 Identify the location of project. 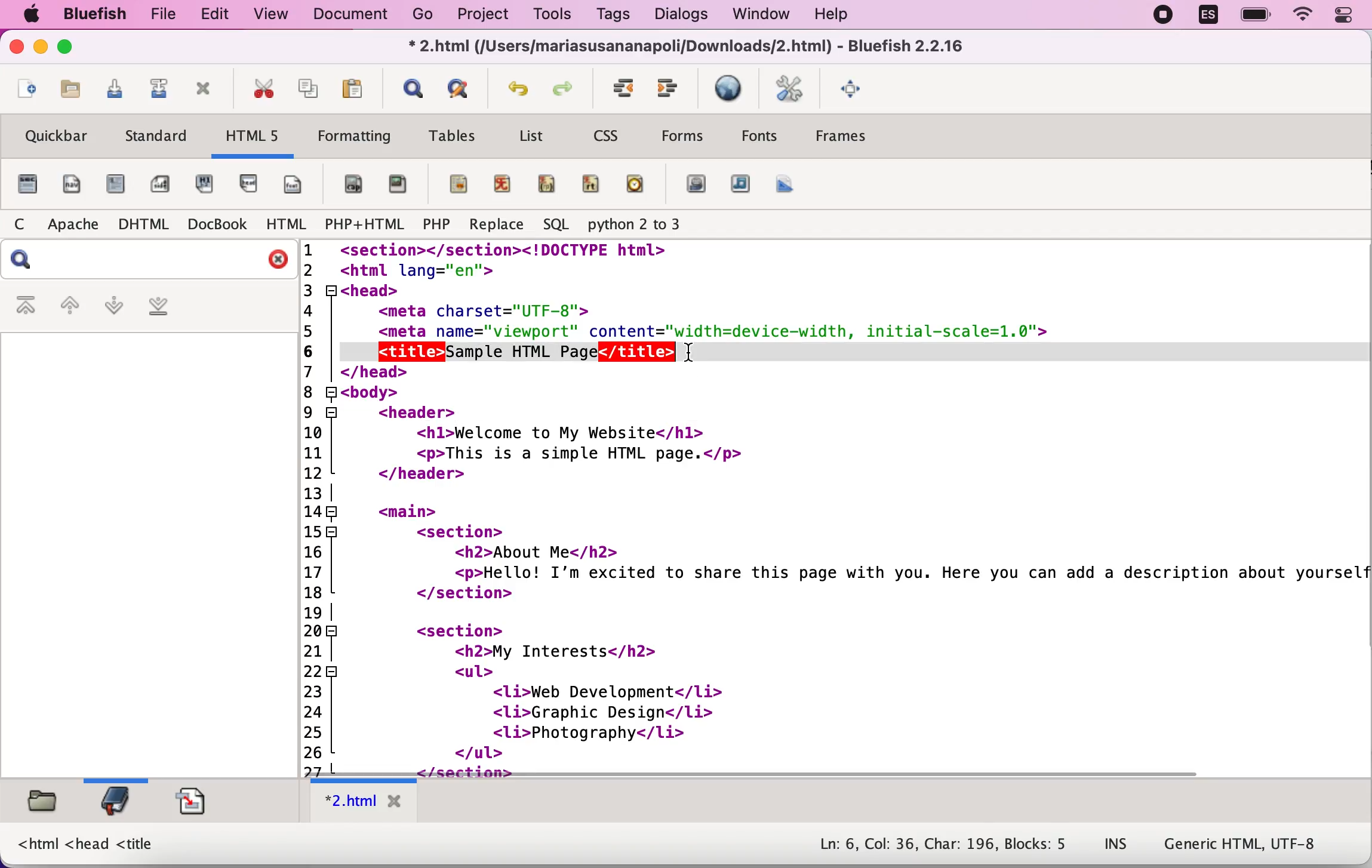
(485, 15).